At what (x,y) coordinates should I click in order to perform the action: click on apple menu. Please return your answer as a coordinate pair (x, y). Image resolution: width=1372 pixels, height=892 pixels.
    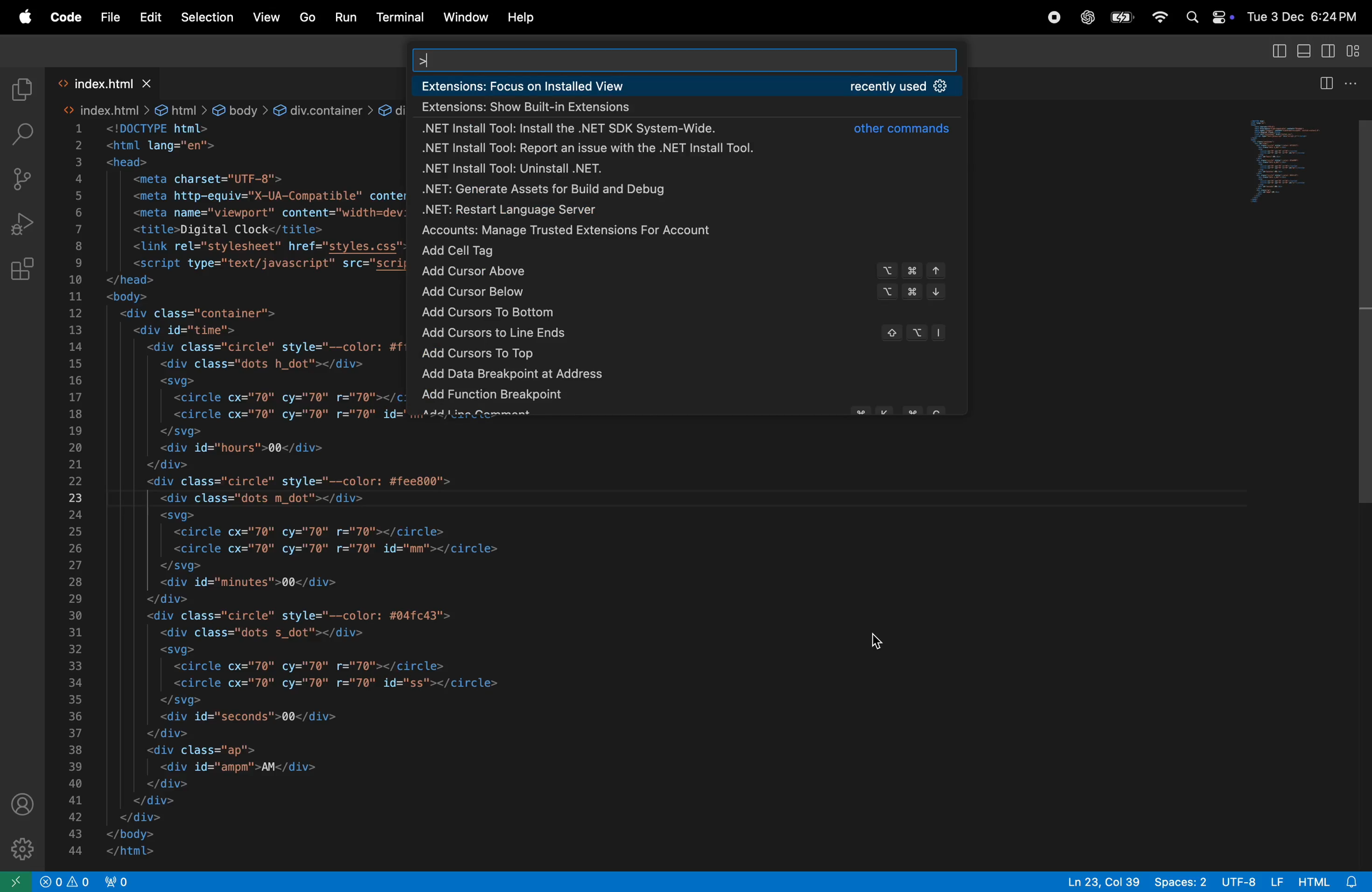
    Looking at the image, I should click on (24, 17).